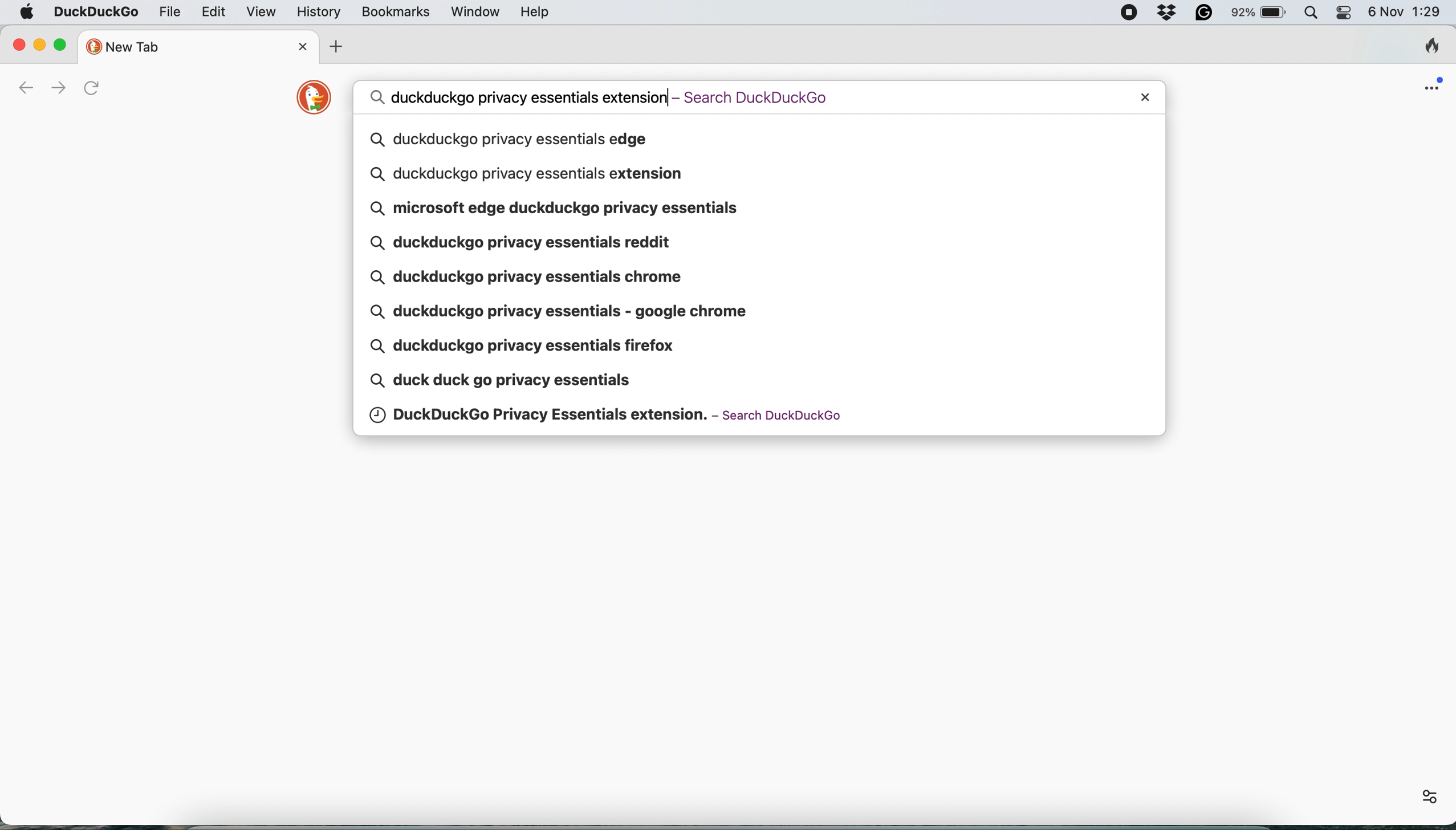 This screenshot has height=830, width=1456. Describe the element at coordinates (19, 43) in the screenshot. I see `close` at that location.